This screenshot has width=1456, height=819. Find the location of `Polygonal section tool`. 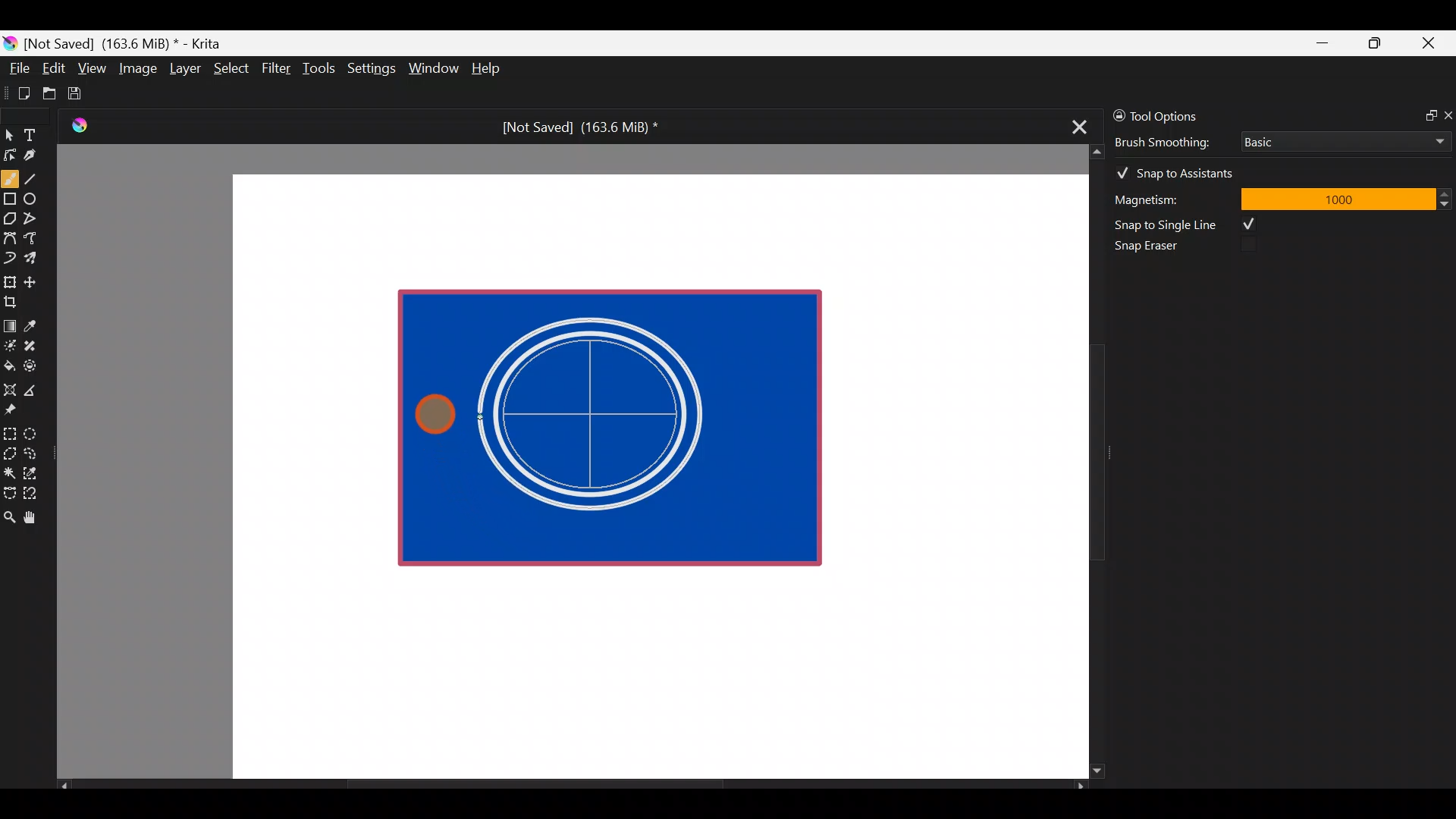

Polygonal section tool is located at coordinates (9, 450).